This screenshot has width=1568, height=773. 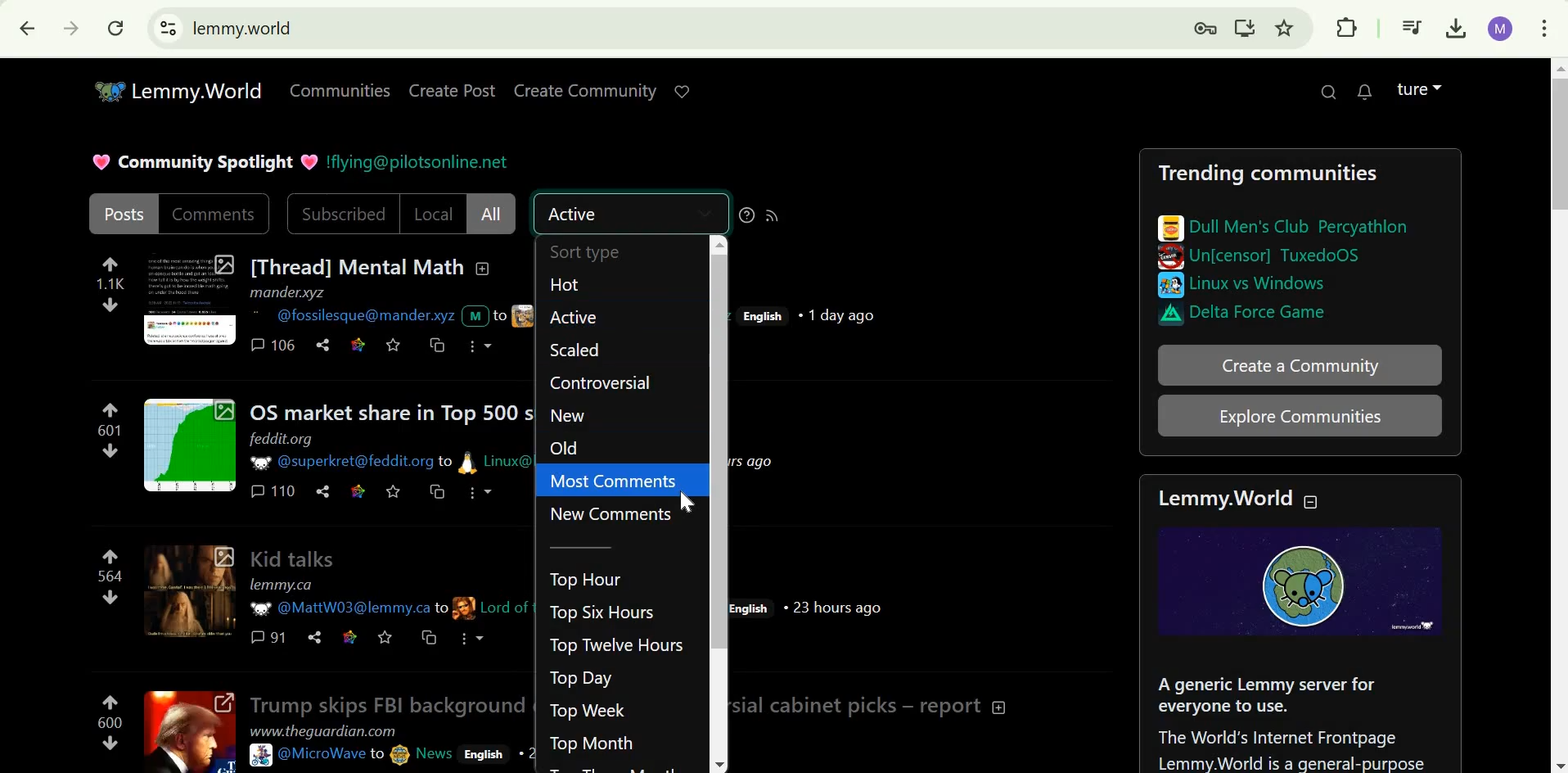 I want to click on SUbscribed, so click(x=343, y=212).